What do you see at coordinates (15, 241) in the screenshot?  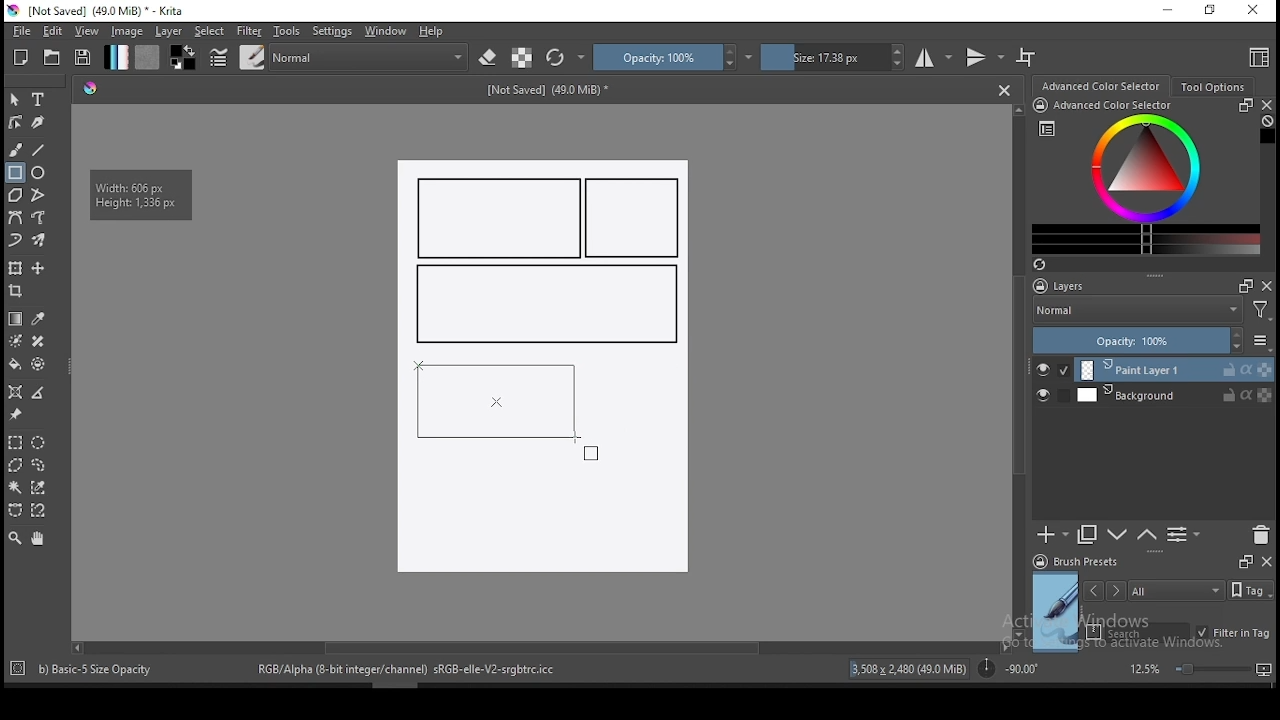 I see `dynamic brush tool` at bounding box center [15, 241].